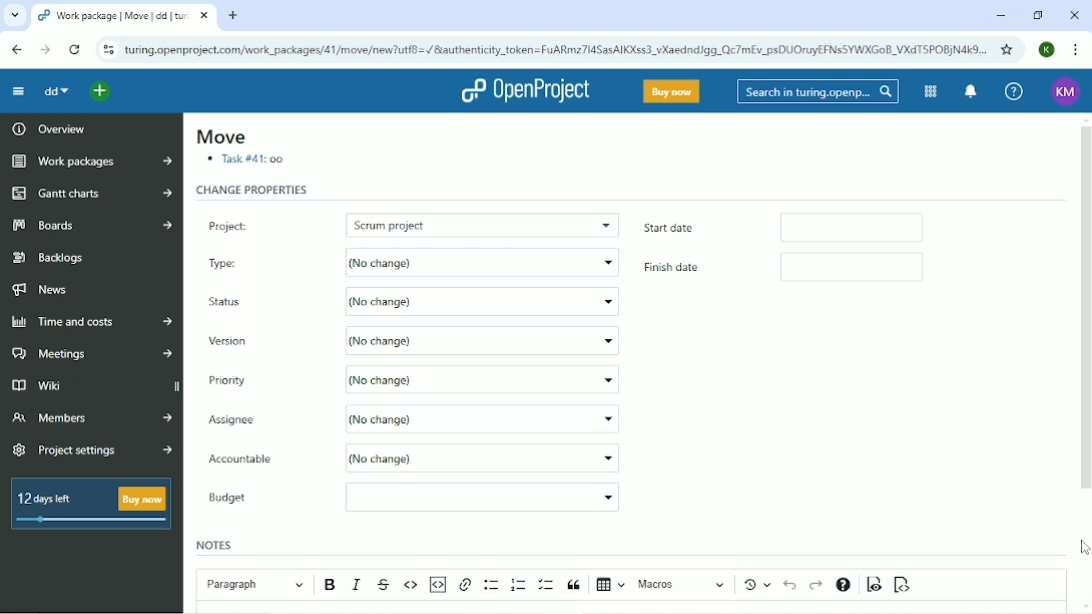 This screenshot has width=1092, height=614. Describe the element at coordinates (45, 50) in the screenshot. I see `Forward` at that location.